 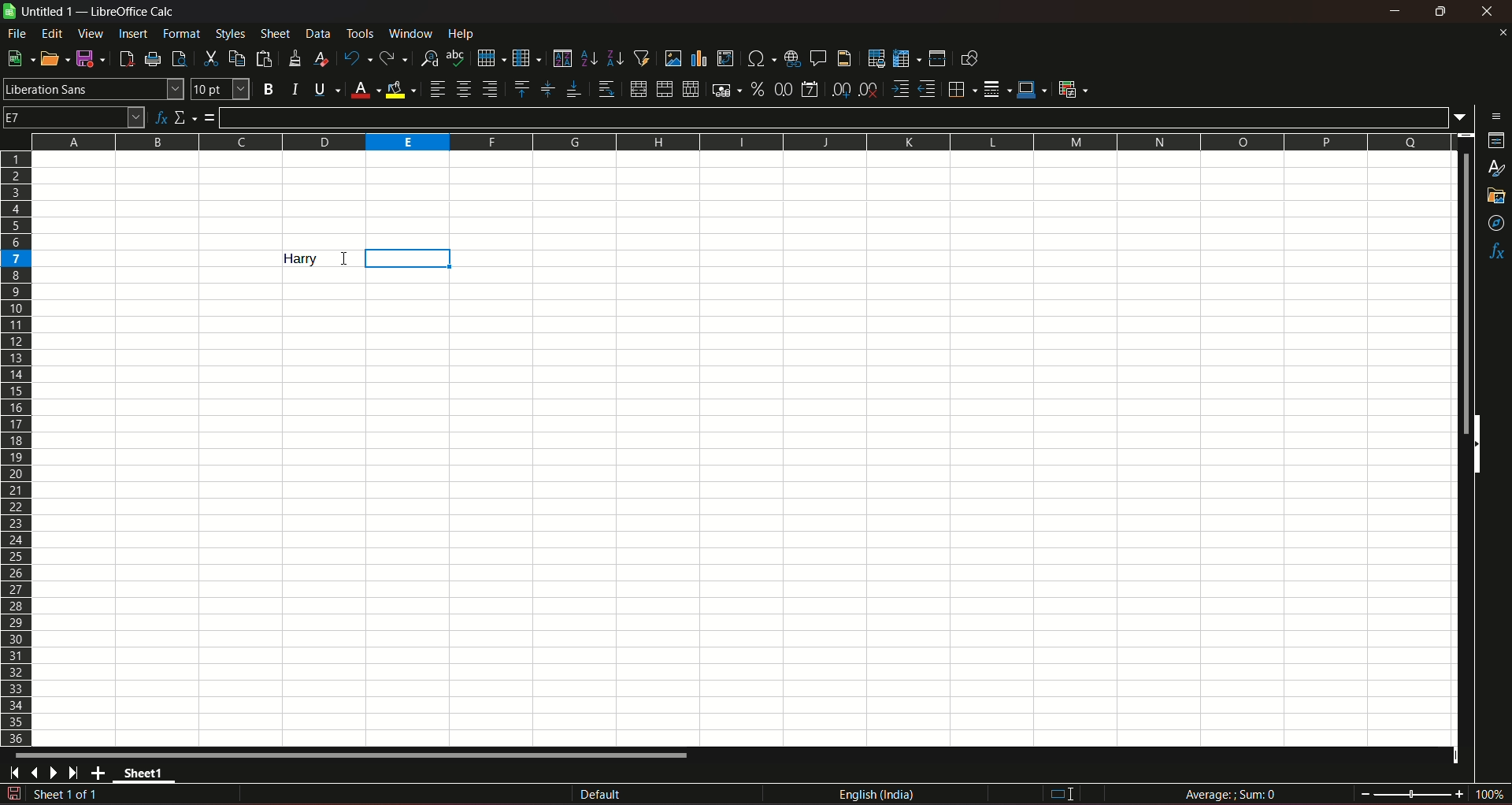 I want to click on column, so click(x=525, y=57).